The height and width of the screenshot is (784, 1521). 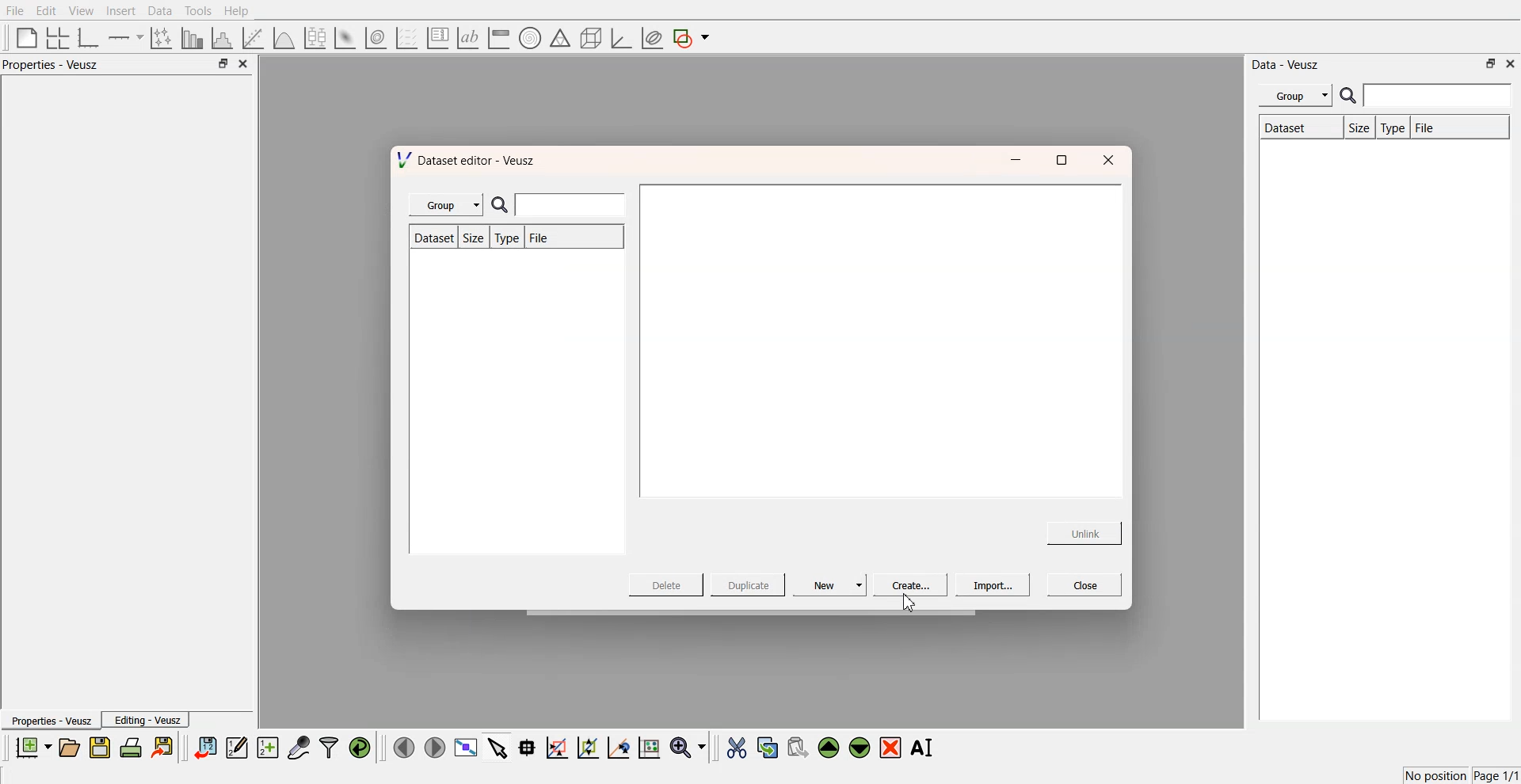 I want to click on enter search field, so click(x=1439, y=96).